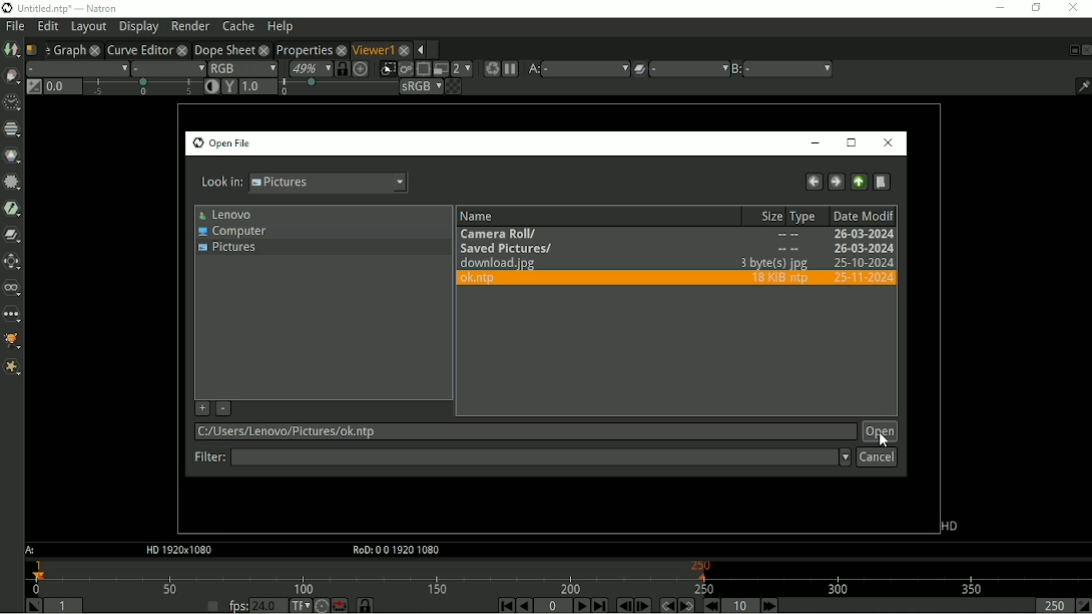 This screenshot has width=1092, height=614. I want to click on Playback out point, so click(1052, 605).